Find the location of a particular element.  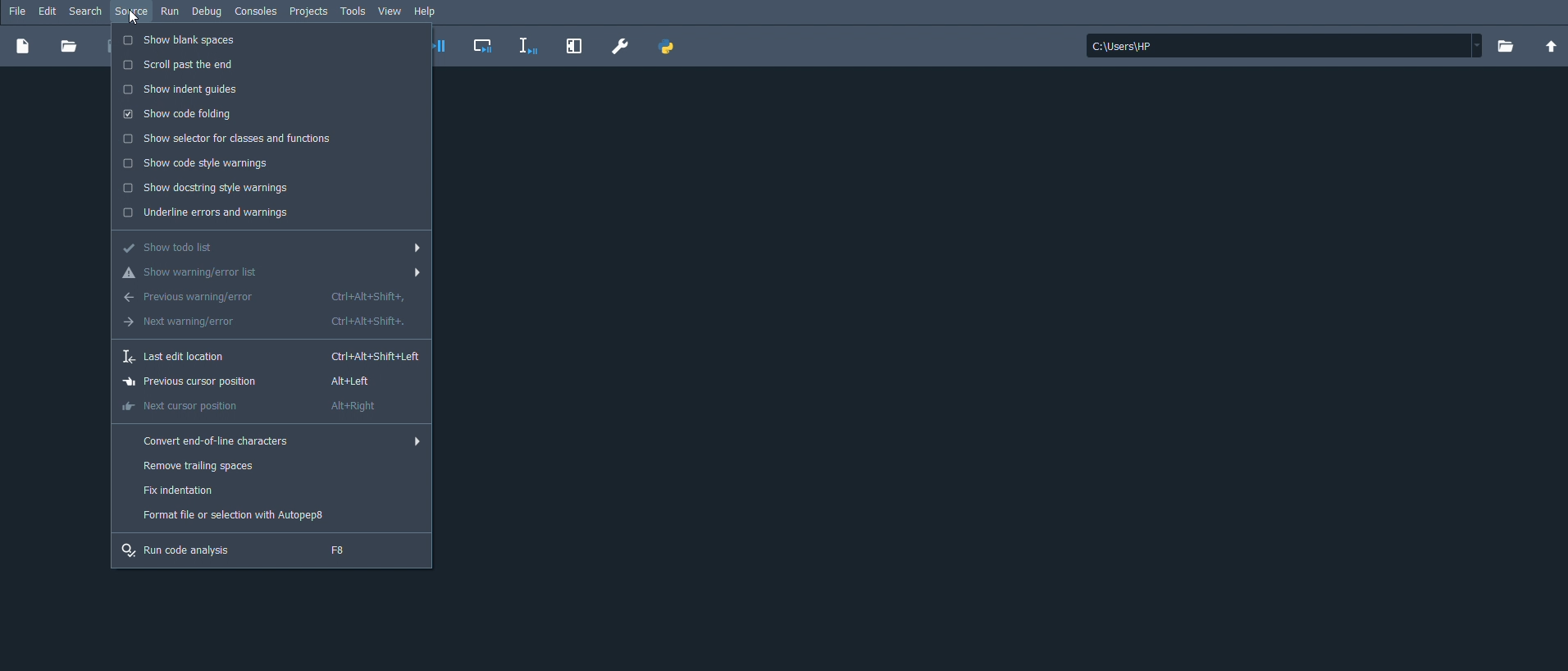

Next warning/error is located at coordinates (265, 322).